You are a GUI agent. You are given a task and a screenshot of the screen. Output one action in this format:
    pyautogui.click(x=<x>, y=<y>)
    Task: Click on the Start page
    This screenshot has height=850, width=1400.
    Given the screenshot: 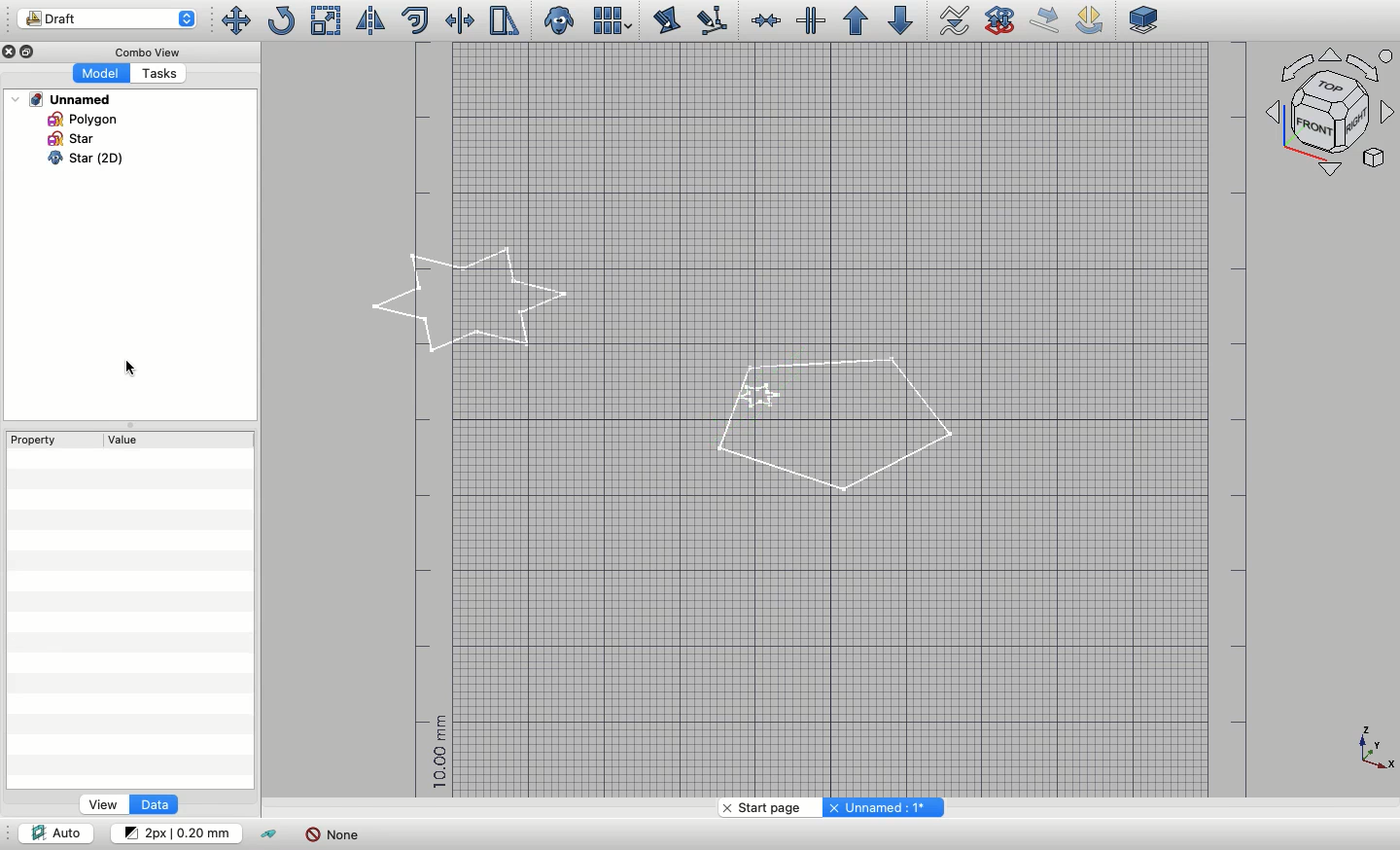 What is the action you would take?
    pyautogui.click(x=766, y=807)
    